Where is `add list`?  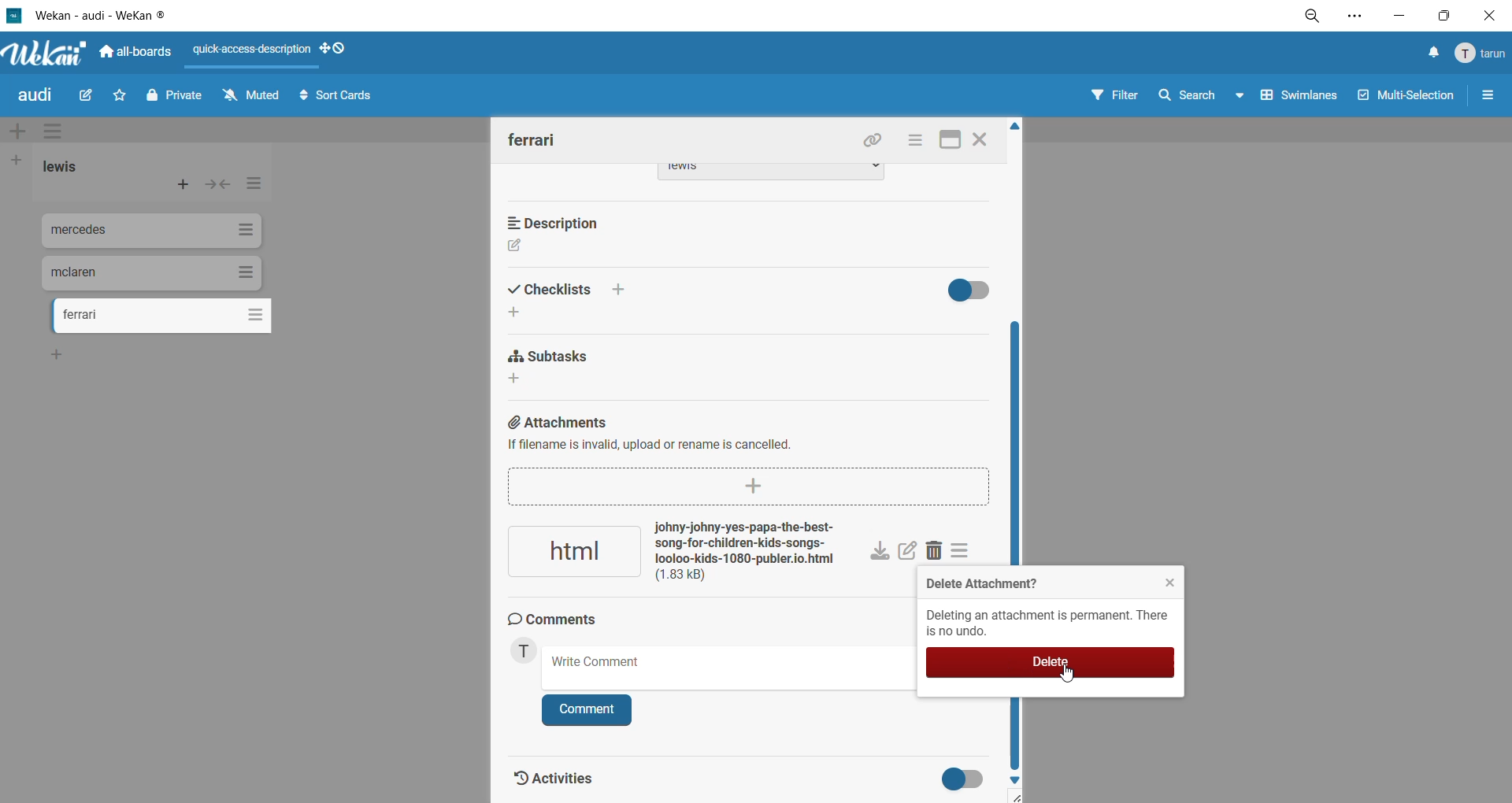 add list is located at coordinates (21, 160).